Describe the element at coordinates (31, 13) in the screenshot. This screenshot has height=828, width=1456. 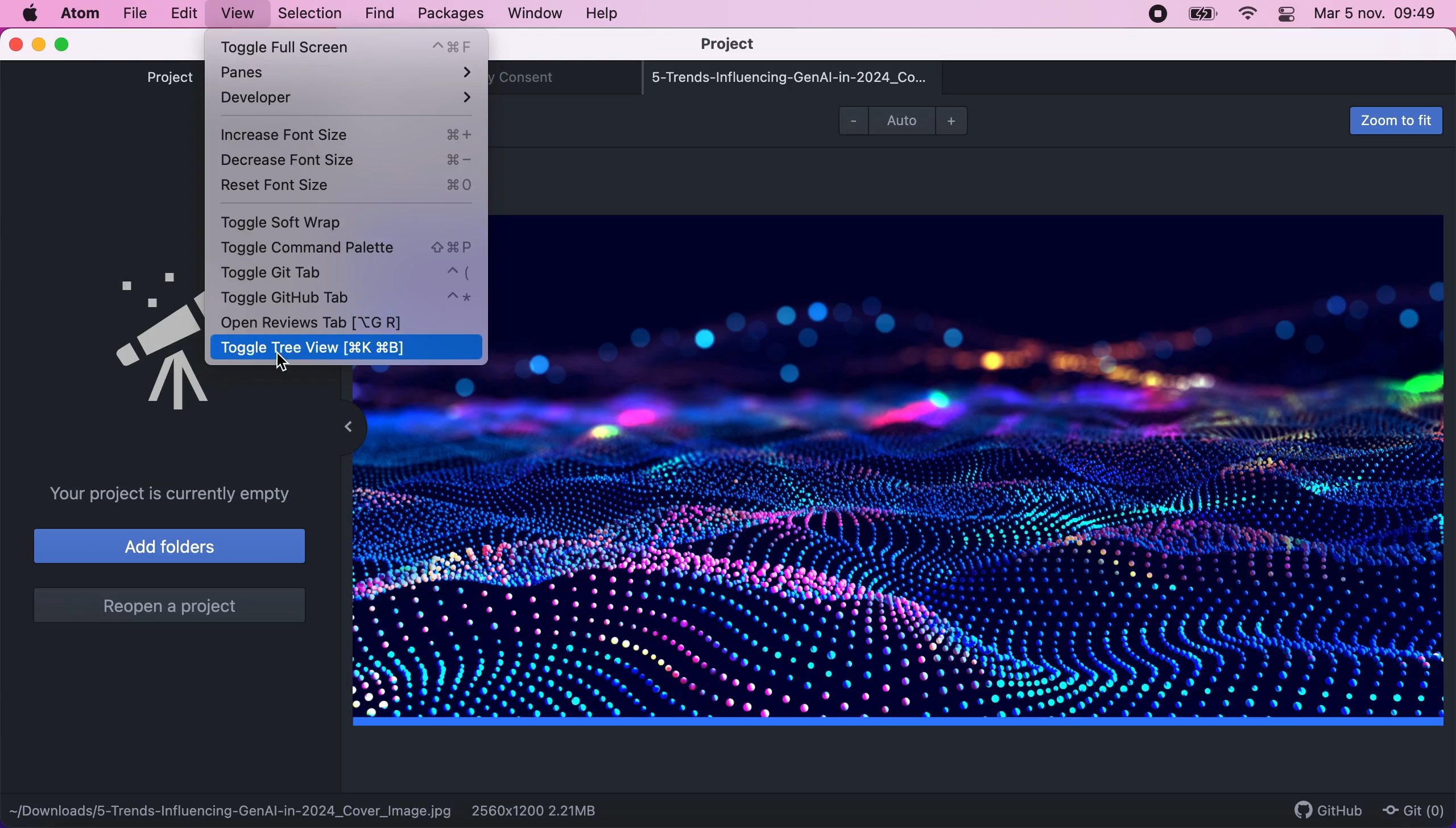
I see `mac logo` at that location.